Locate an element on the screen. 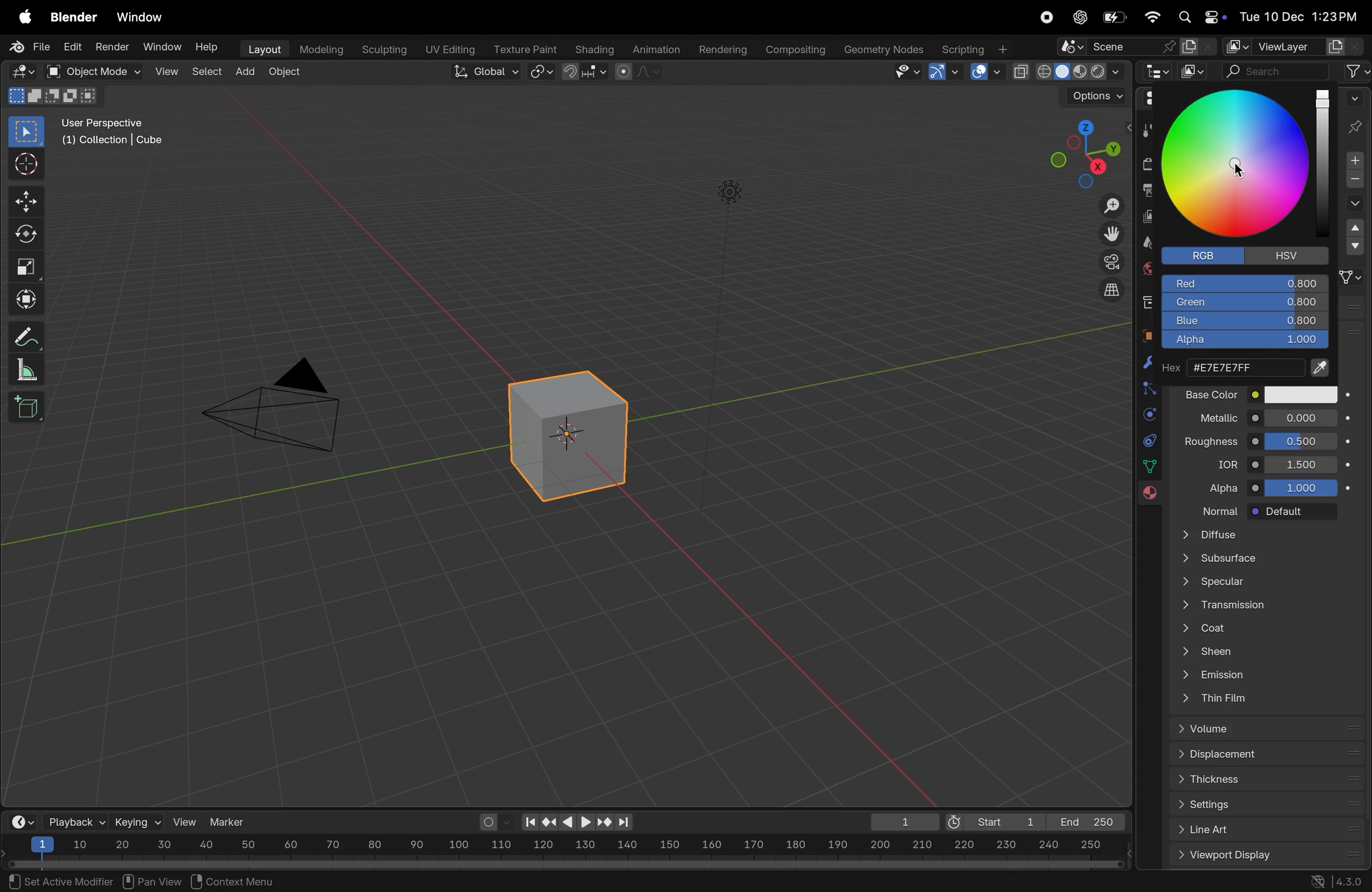 This screenshot has width=1372, height=892. rendering is located at coordinates (719, 48).